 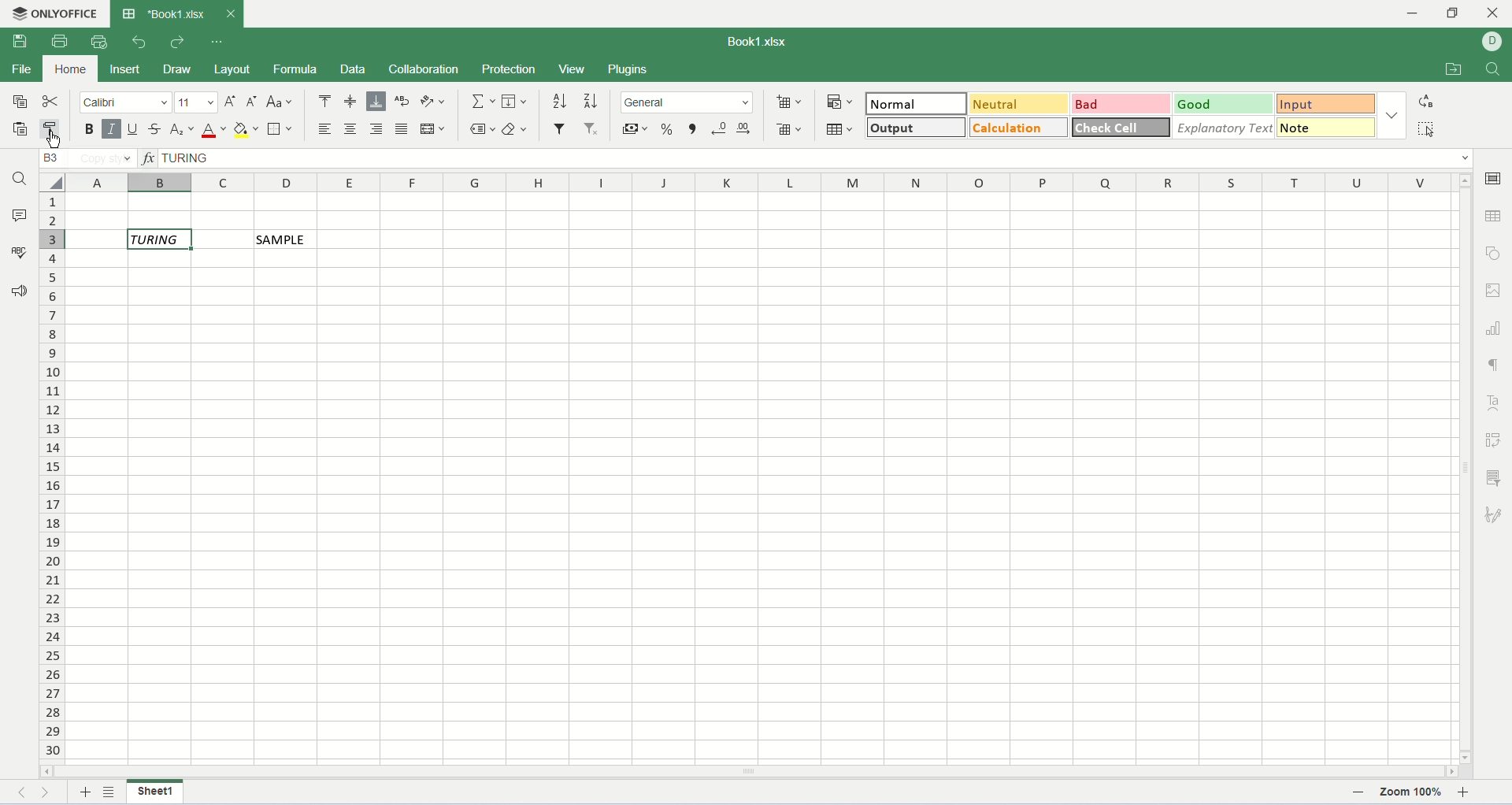 What do you see at coordinates (232, 103) in the screenshot?
I see `increase font size` at bounding box center [232, 103].